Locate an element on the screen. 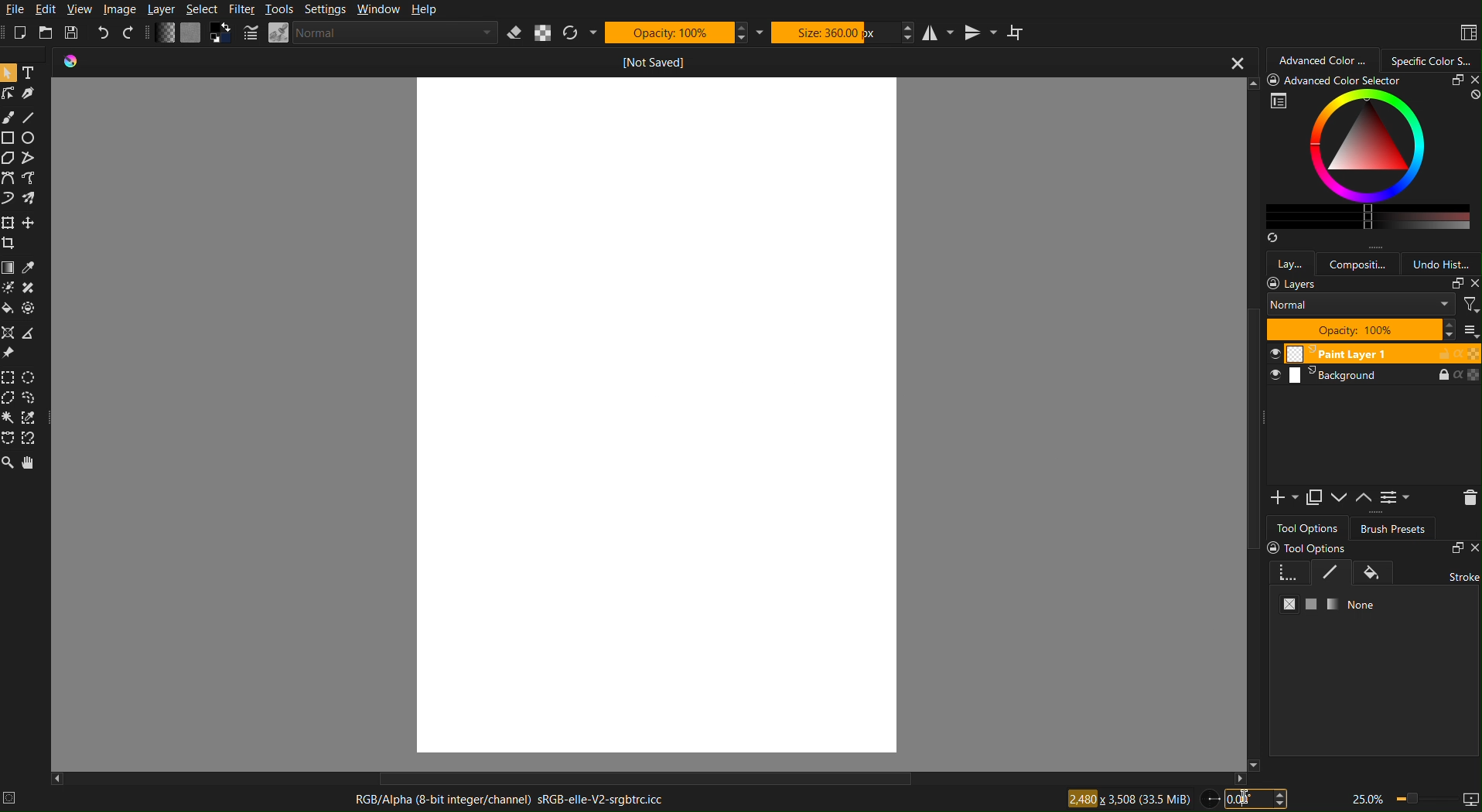 The width and height of the screenshot is (1482, 812). Redo is located at coordinates (128, 33).